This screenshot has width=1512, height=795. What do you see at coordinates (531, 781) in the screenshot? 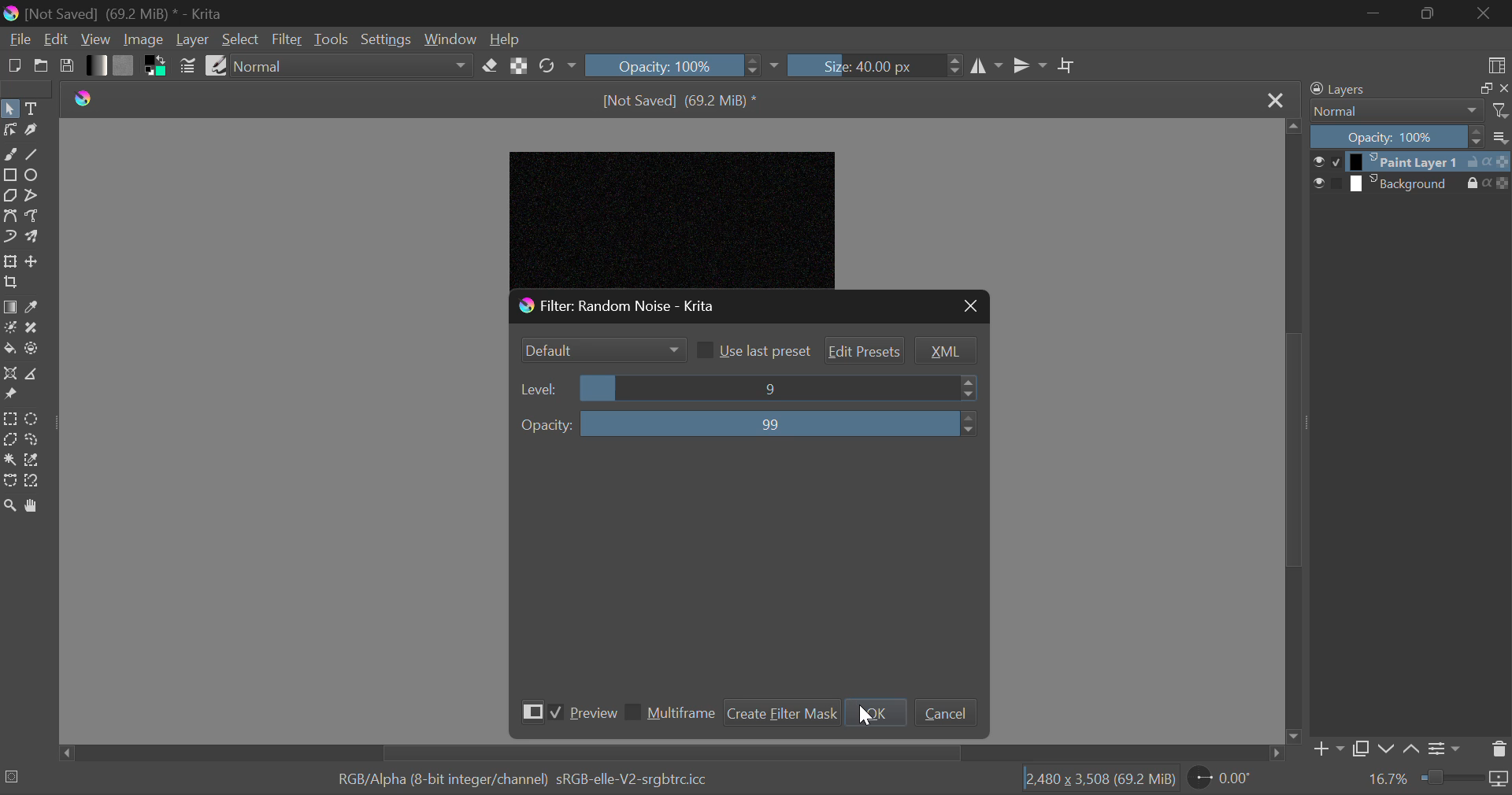
I see `rgb/alpha (8-bit integer/channel) srgb-elle-v2-srgbtrc.icc` at bounding box center [531, 781].